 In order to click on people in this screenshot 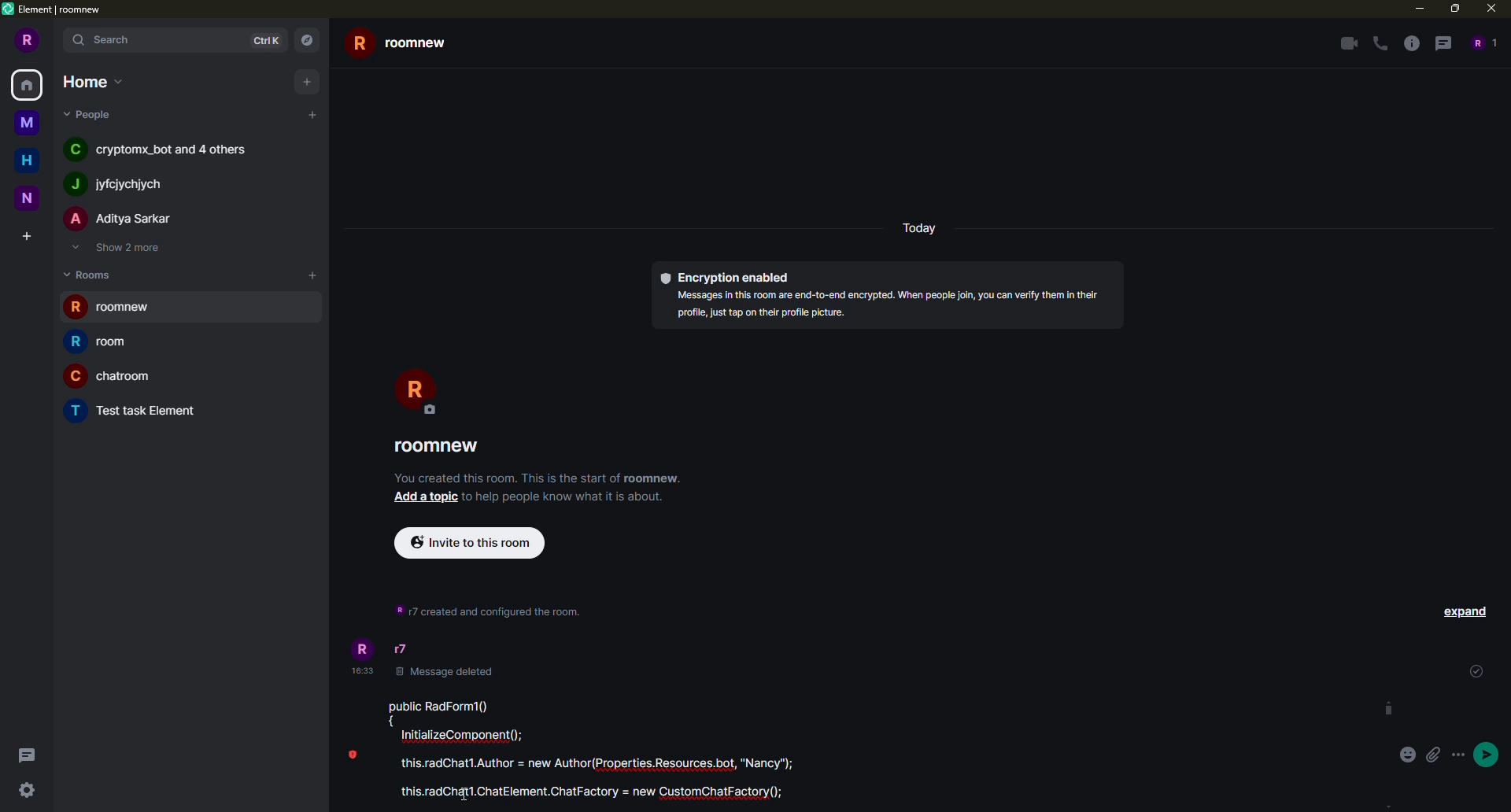, I will do `click(163, 149)`.